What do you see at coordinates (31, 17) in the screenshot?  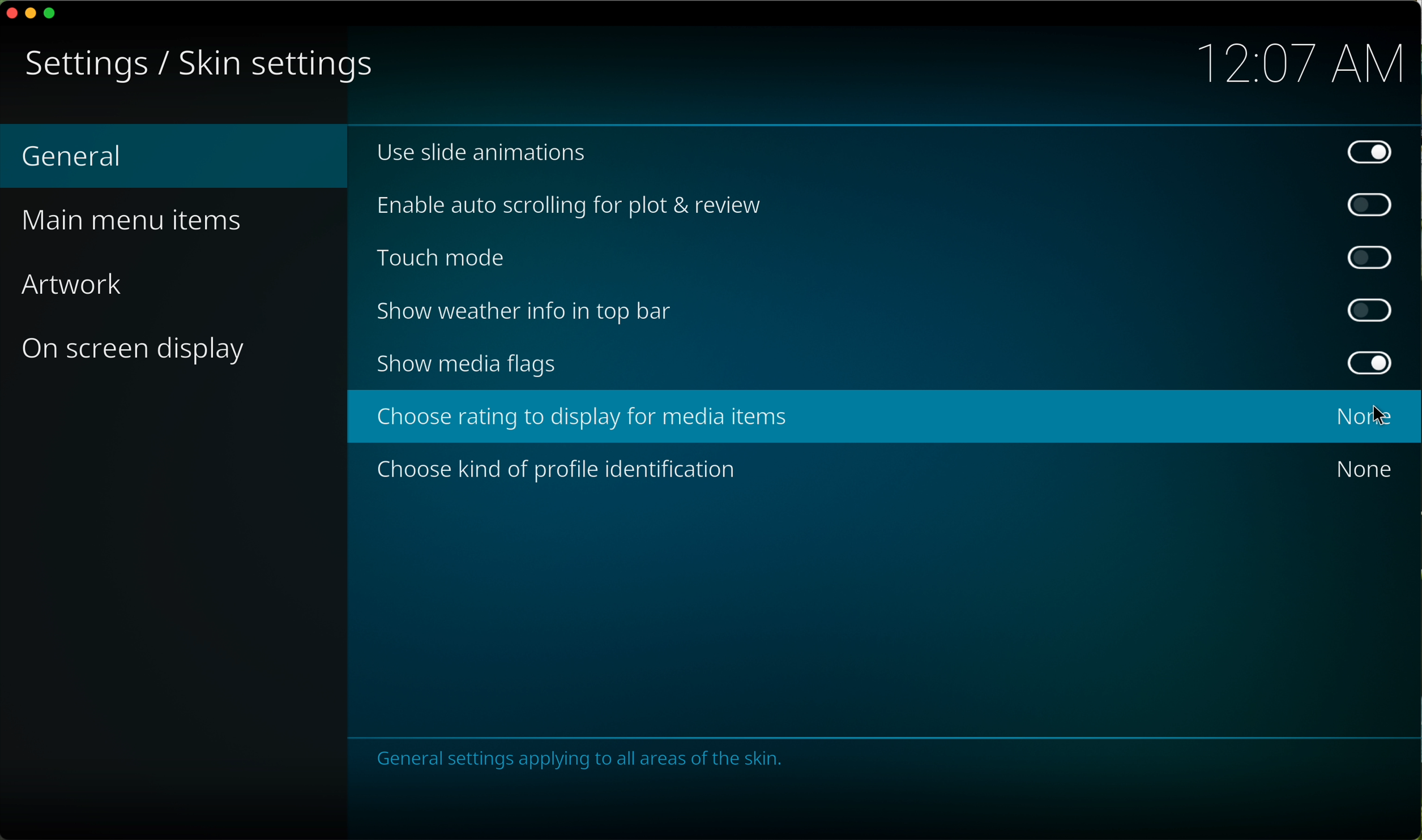 I see `minimize` at bounding box center [31, 17].